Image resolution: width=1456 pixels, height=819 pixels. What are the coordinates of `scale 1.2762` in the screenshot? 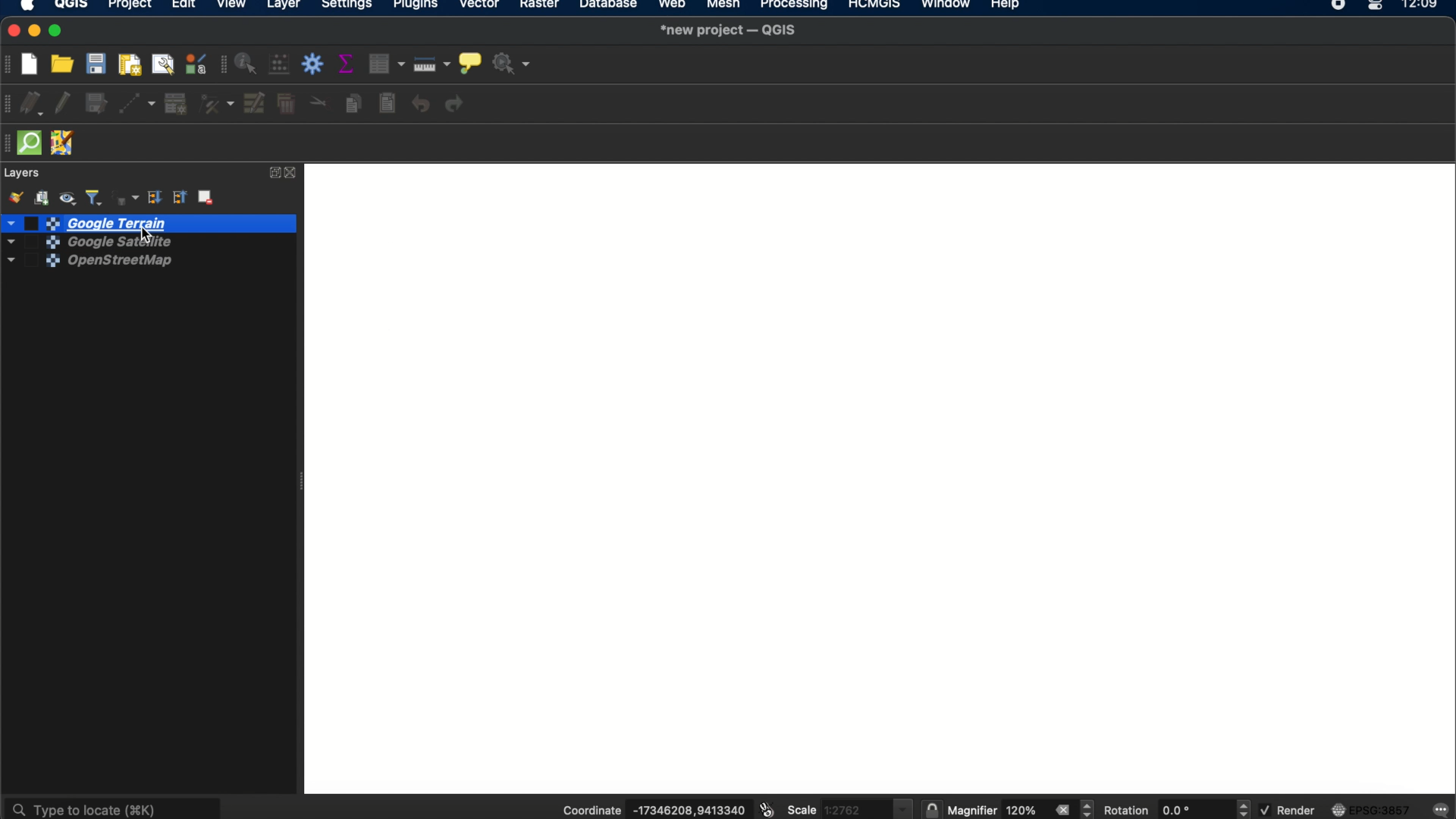 It's located at (849, 807).